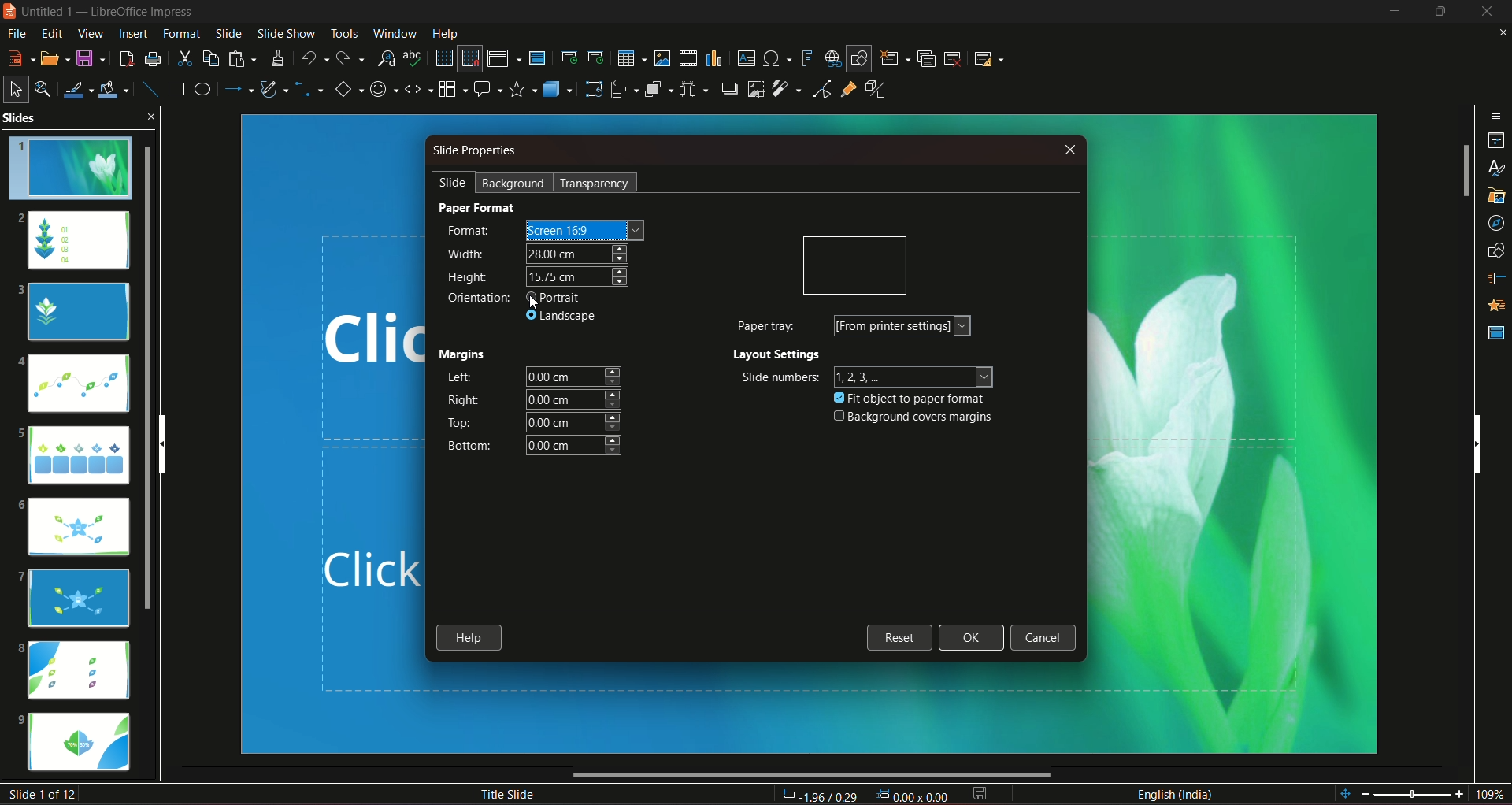 This screenshot has height=805, width=1512. I want to click on sidebar settings, so click(1496, 114).